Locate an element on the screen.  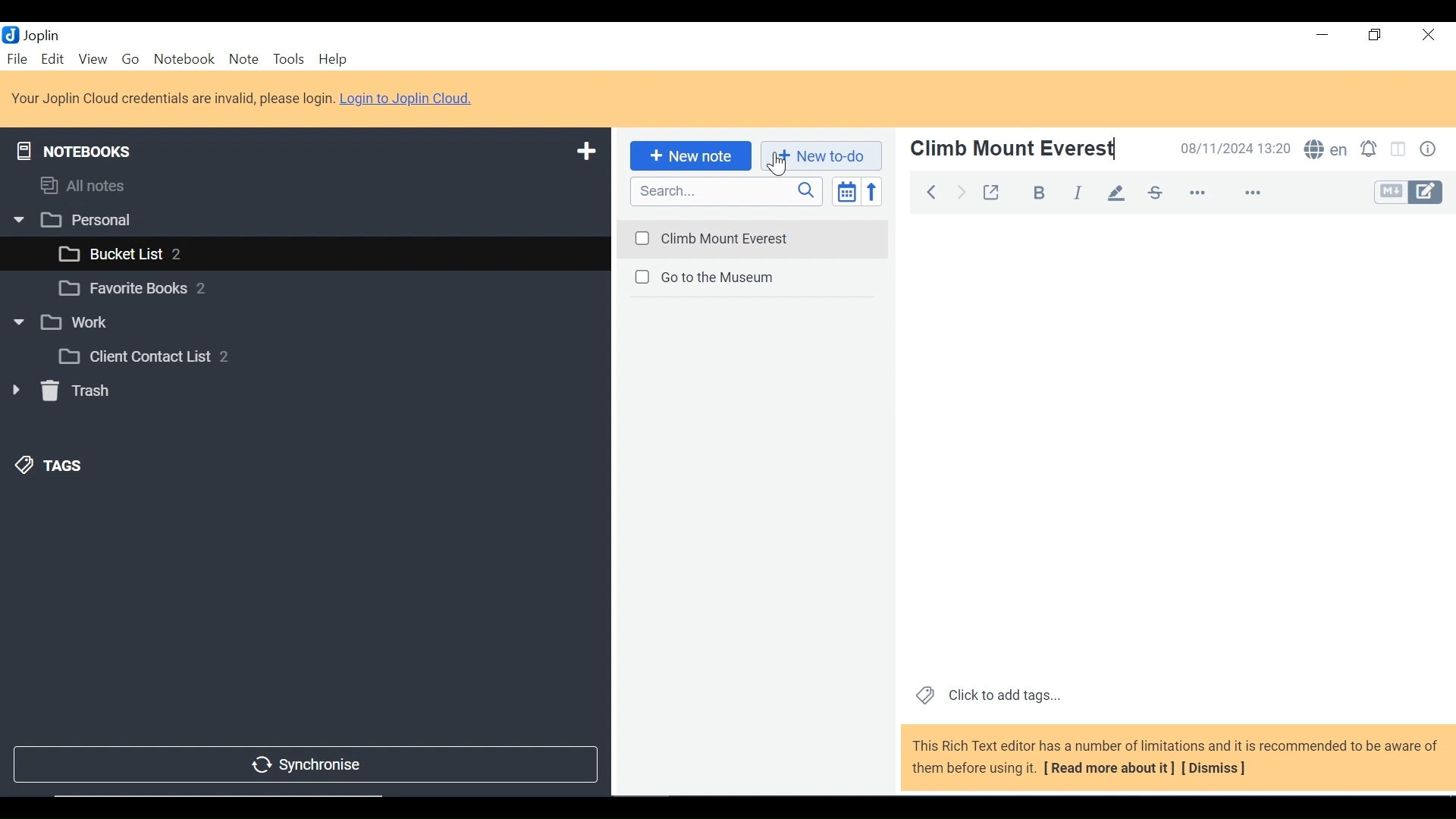
File is located at coordinates (18, 60).